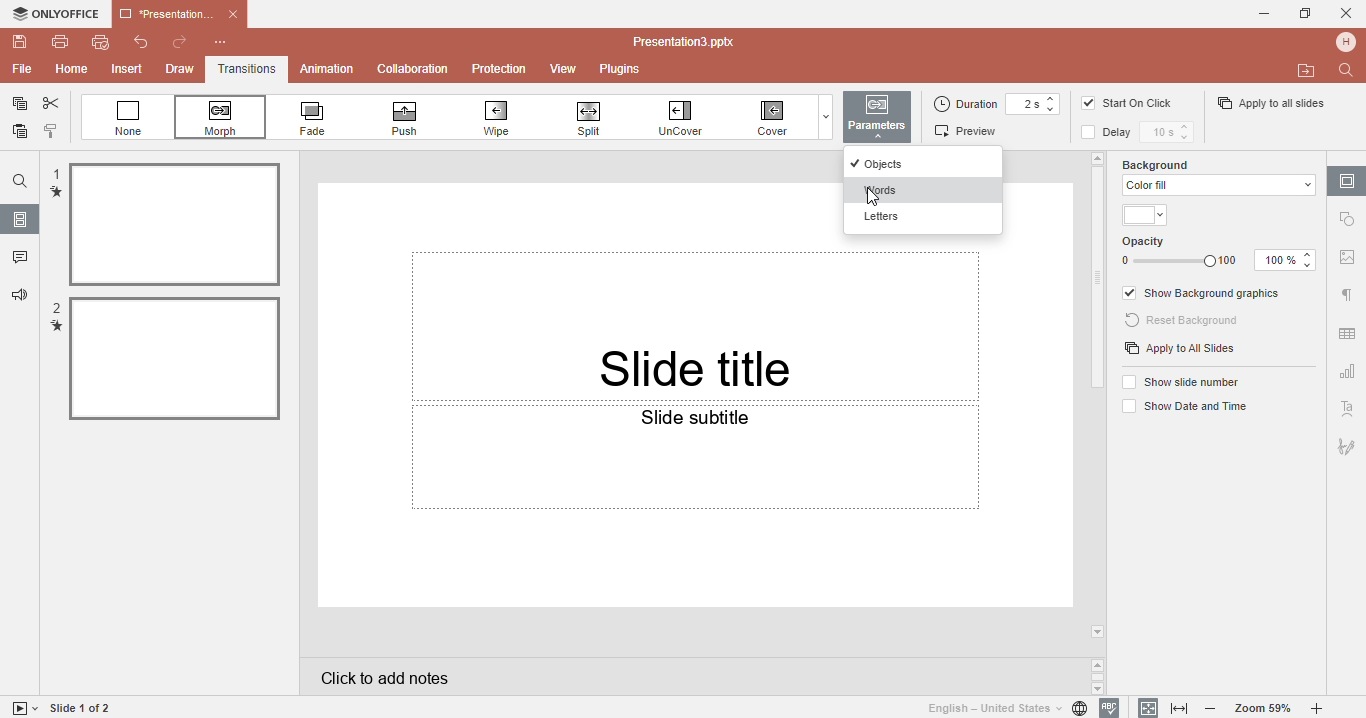  What do you see at coordinates (52, 104) in the screenshot?
I see `Cut` at bounding box center [52, 104].